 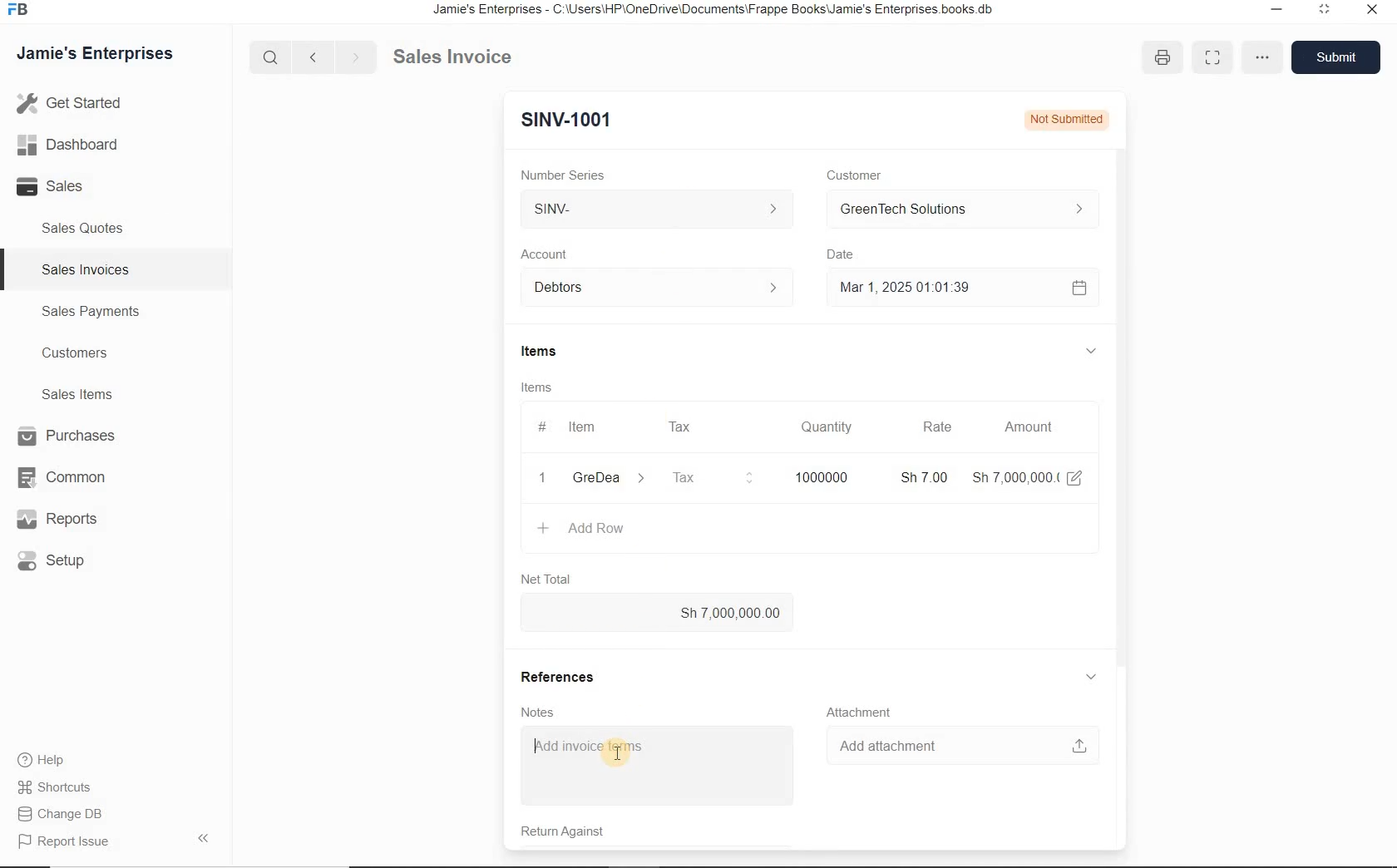 What do you see at coordinates (63, 562) in the screenshot?
I see `Setup` at bounding box center [63, 562].